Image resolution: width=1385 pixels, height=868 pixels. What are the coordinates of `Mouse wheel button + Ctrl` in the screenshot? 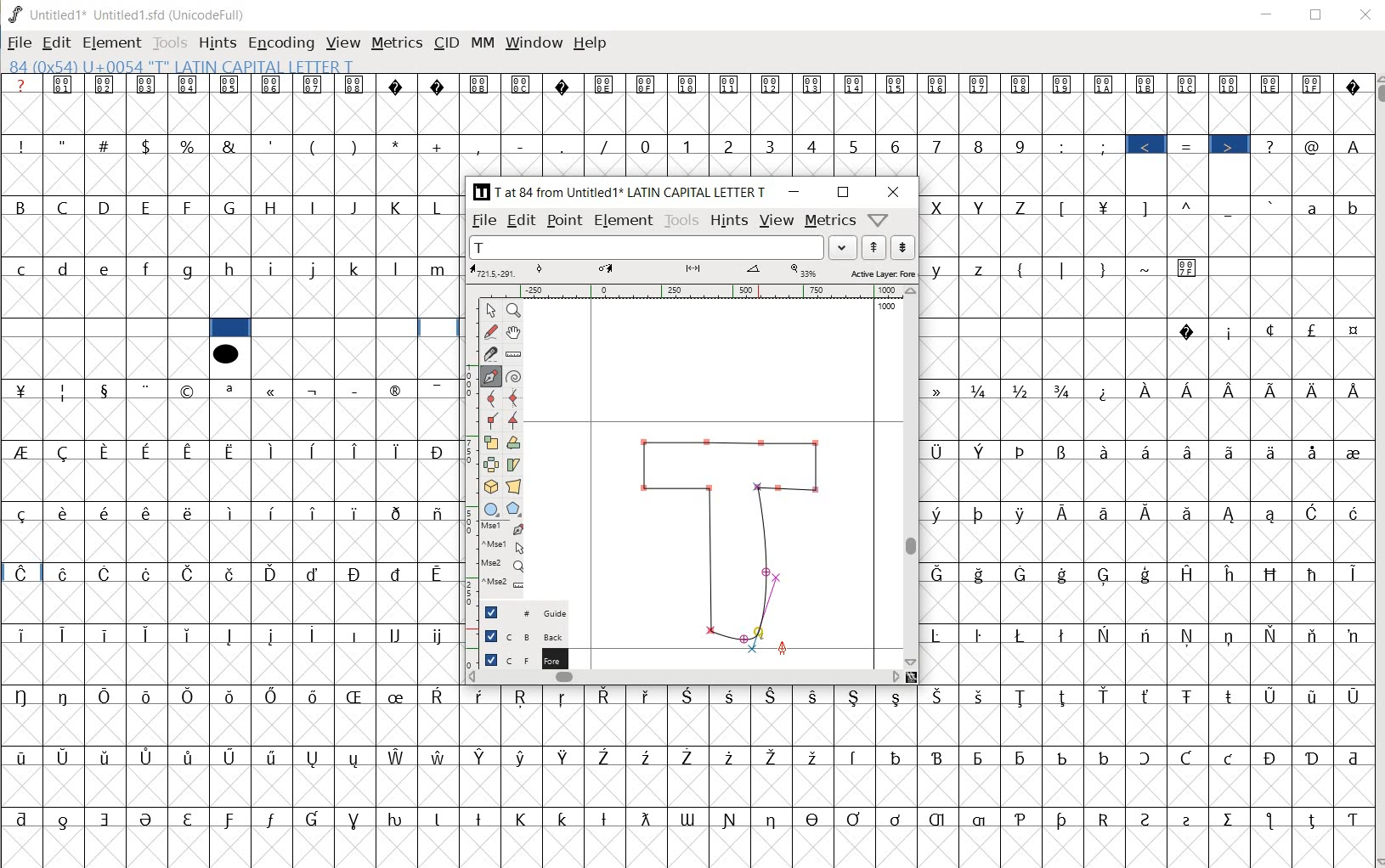 It's located at (503, 583).